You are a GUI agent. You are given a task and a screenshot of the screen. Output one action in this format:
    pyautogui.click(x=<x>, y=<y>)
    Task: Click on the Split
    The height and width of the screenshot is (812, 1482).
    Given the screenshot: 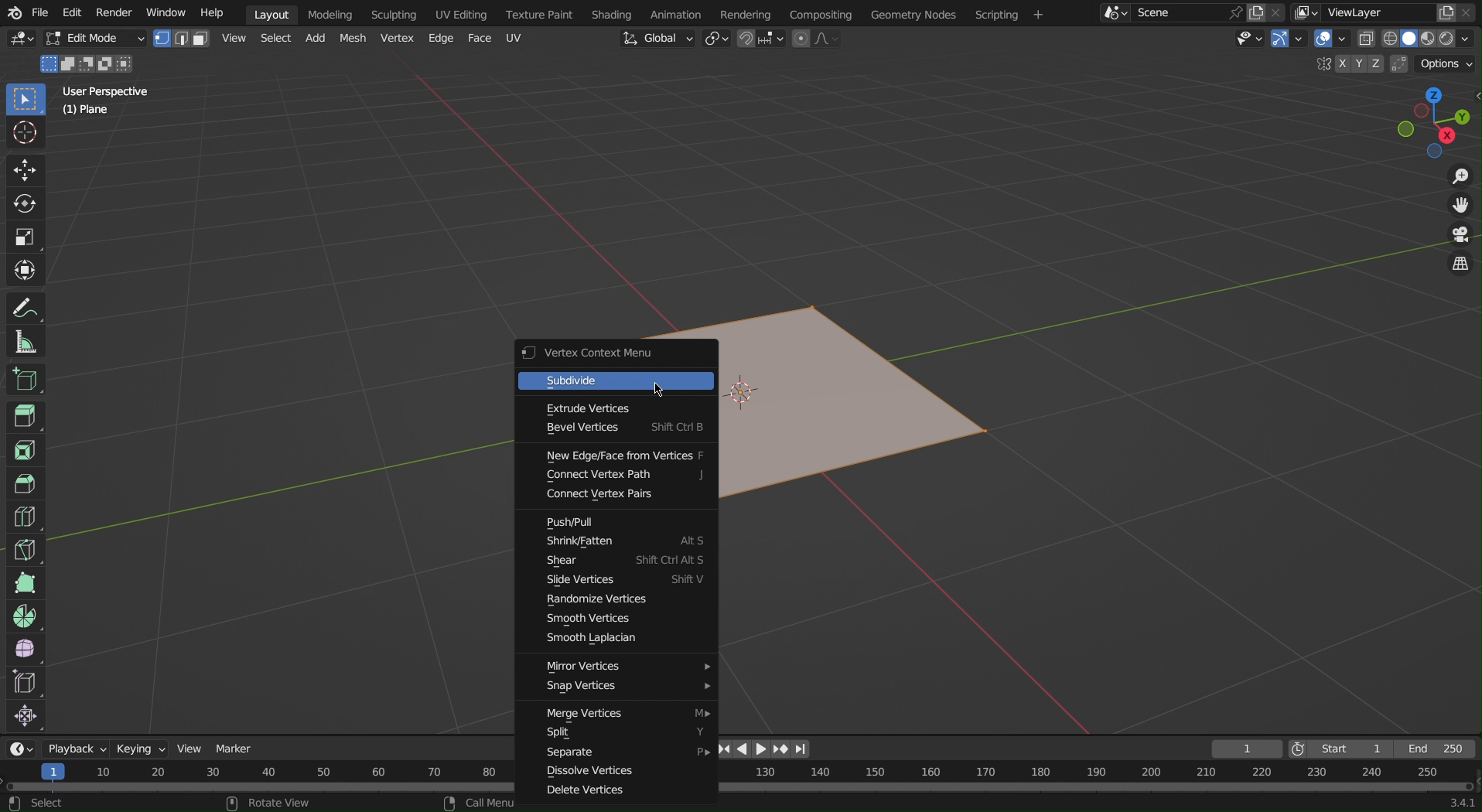 What is the action you would take?
    pyautogui.click(x=624, y=735)
    